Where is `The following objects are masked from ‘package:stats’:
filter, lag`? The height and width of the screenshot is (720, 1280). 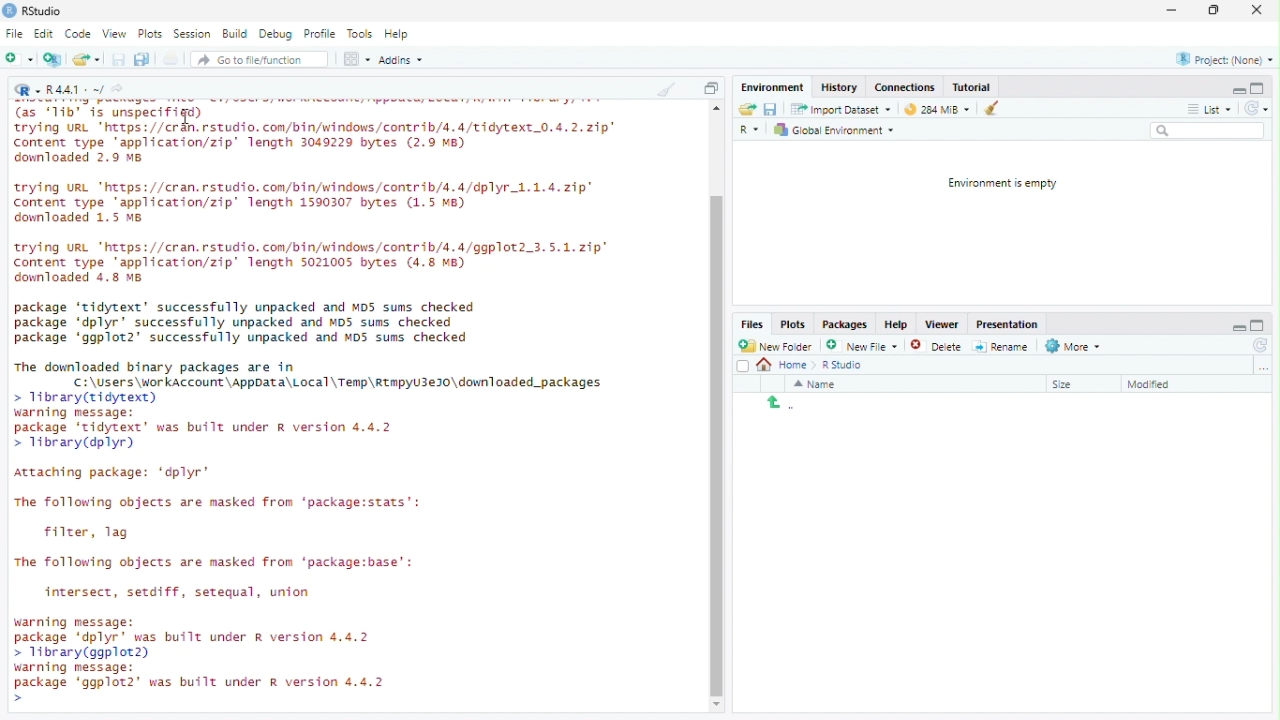 The following objects are masked from ‘package:stats’:
filter, lag is located at coordinates (222, 520).